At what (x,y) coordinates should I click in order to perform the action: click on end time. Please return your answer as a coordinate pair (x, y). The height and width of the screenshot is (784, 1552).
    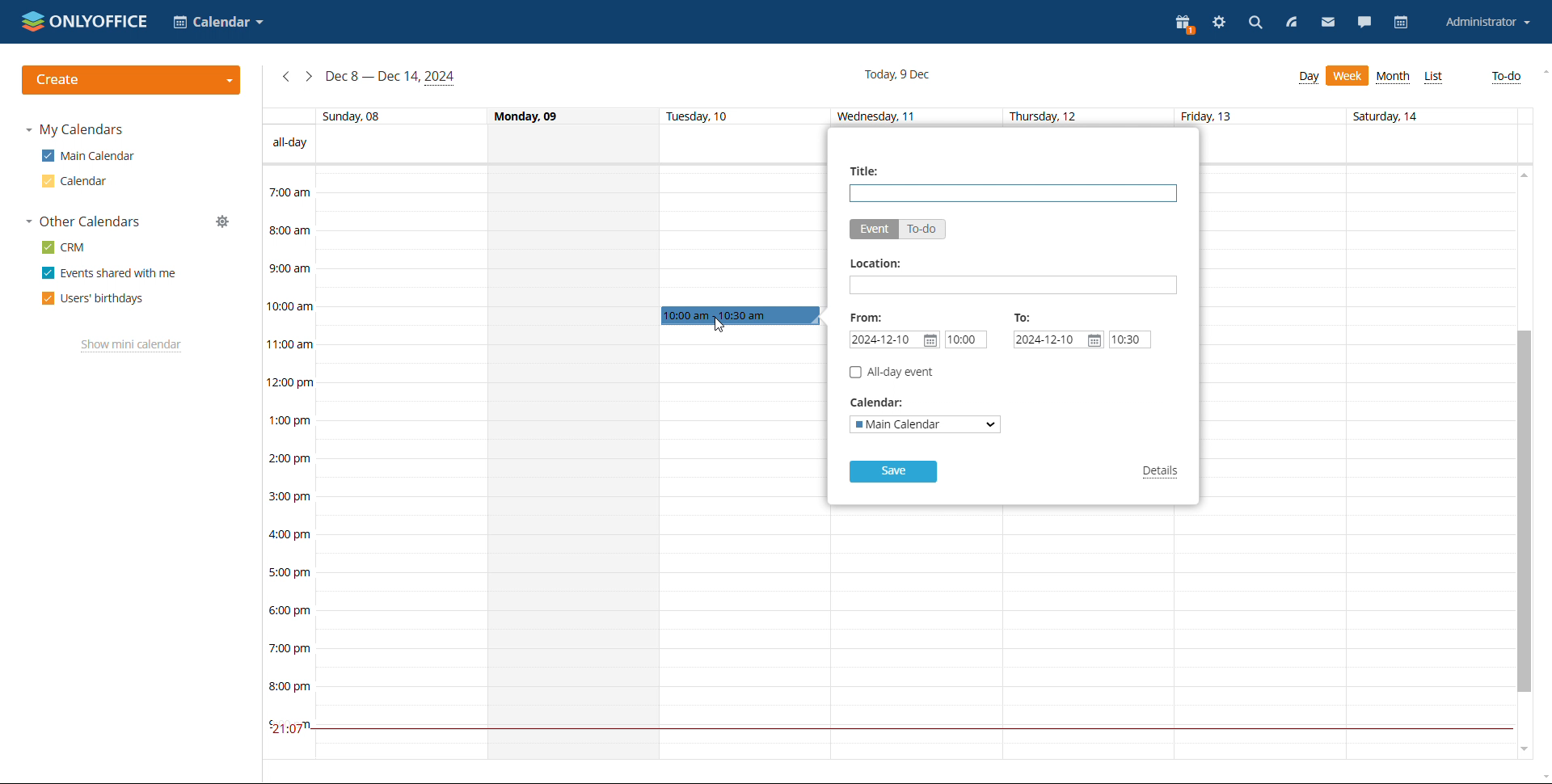
    Looking at the image, I should click on (1130, 339).